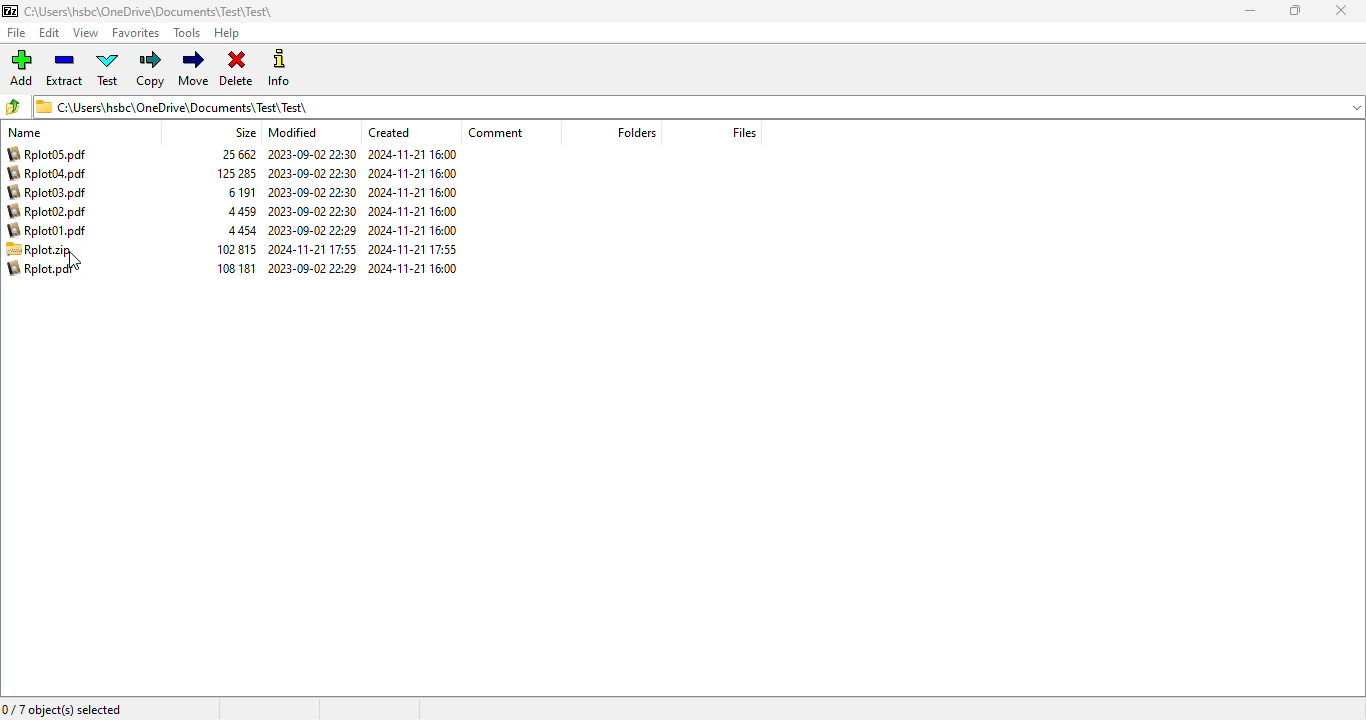 The width and height of the screenshot is (1366, 720). Describe the element at coordinates (231, 155) in the screenshot. I see `Rplot05.pdf 25662 2023-09-02 22:30 2024-11-21 16:00` at that location.